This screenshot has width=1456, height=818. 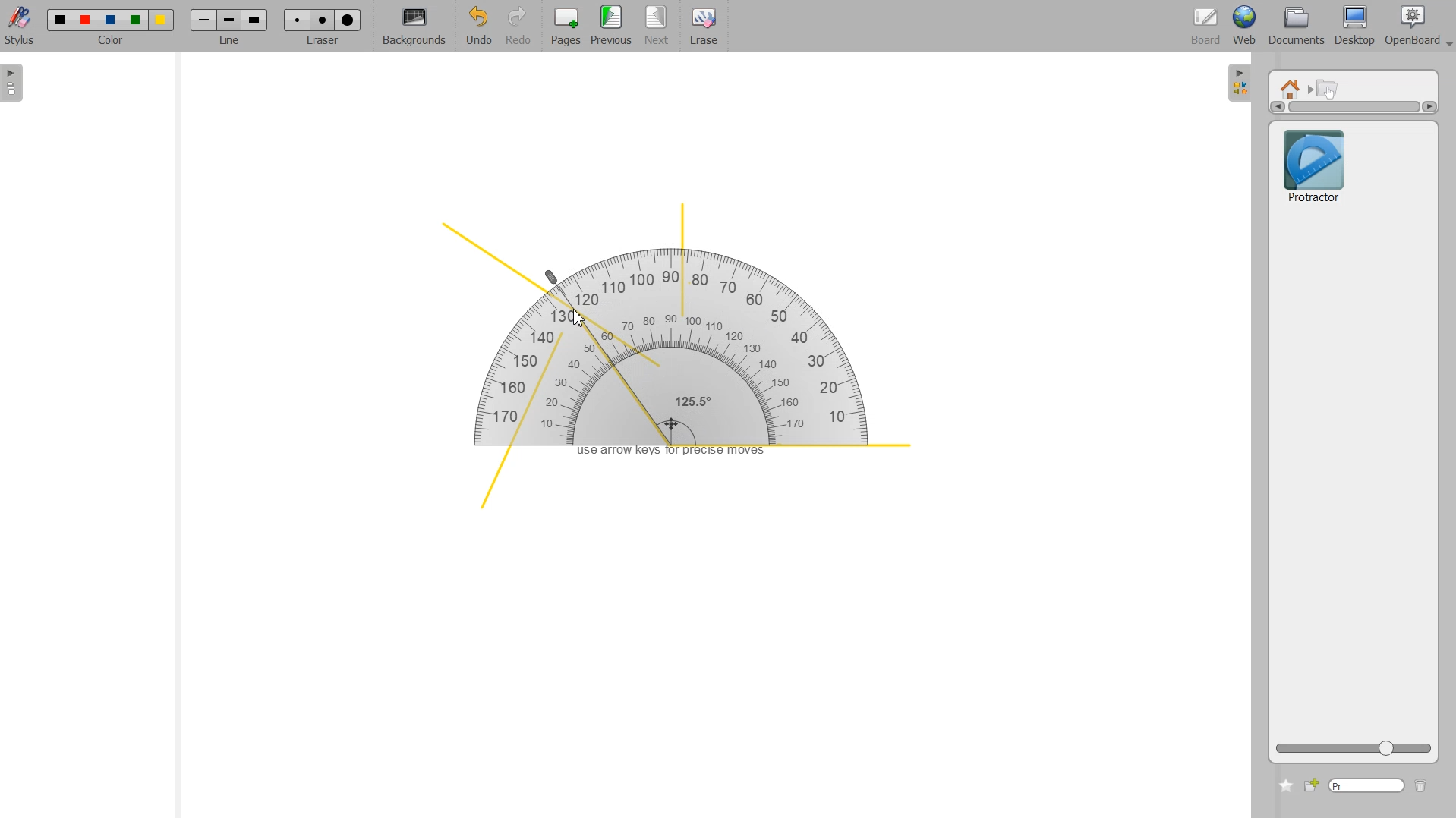 What do you see at coordinates (1313, 164) in the screenshot?
I see `Protractor` at bounding box center [1313, 164].